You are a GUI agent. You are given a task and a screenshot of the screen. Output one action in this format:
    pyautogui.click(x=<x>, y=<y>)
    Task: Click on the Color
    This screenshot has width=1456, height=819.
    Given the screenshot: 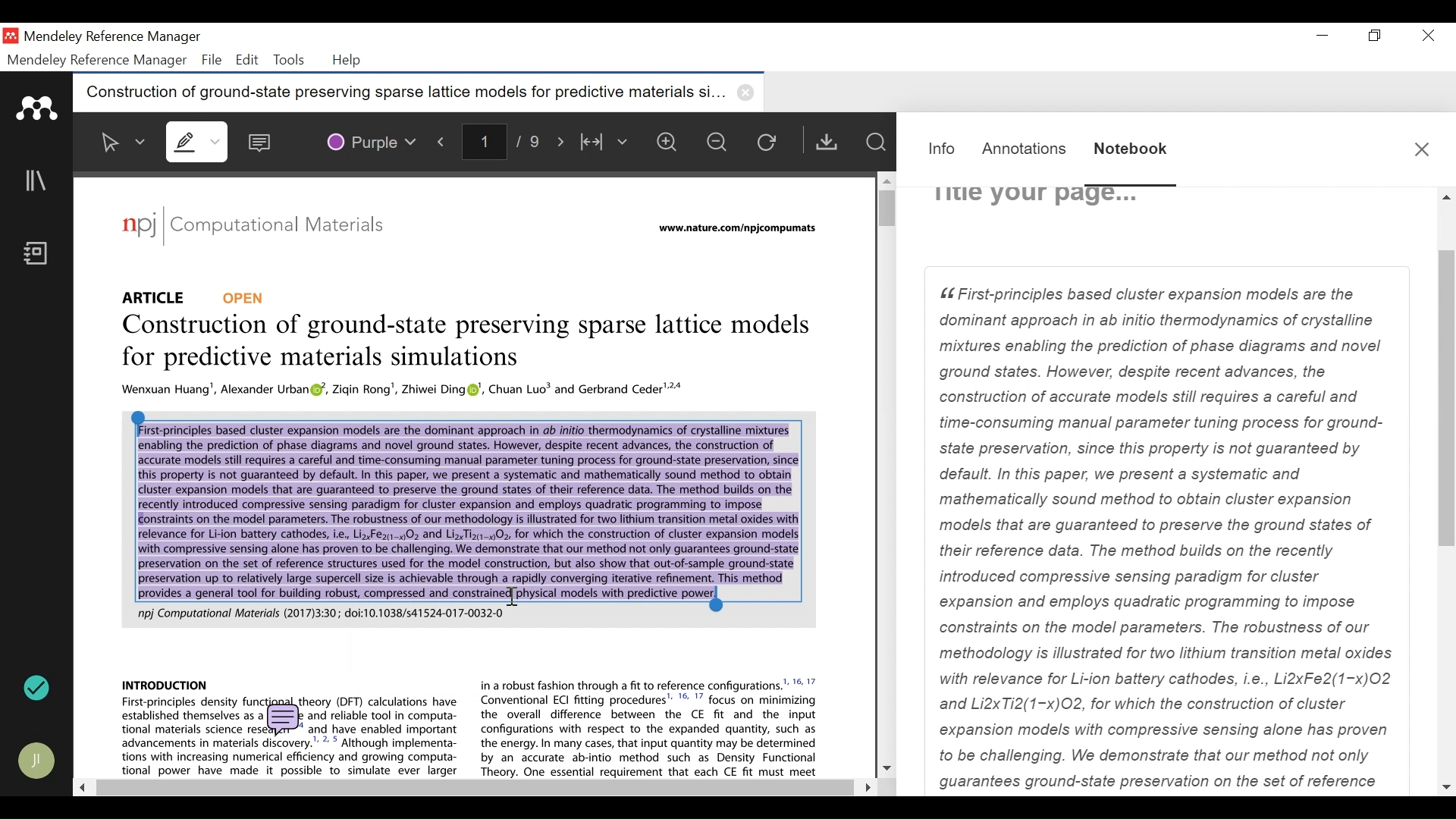 What is the action you would take?
    pyautogui.click(x=370, y=140)
    